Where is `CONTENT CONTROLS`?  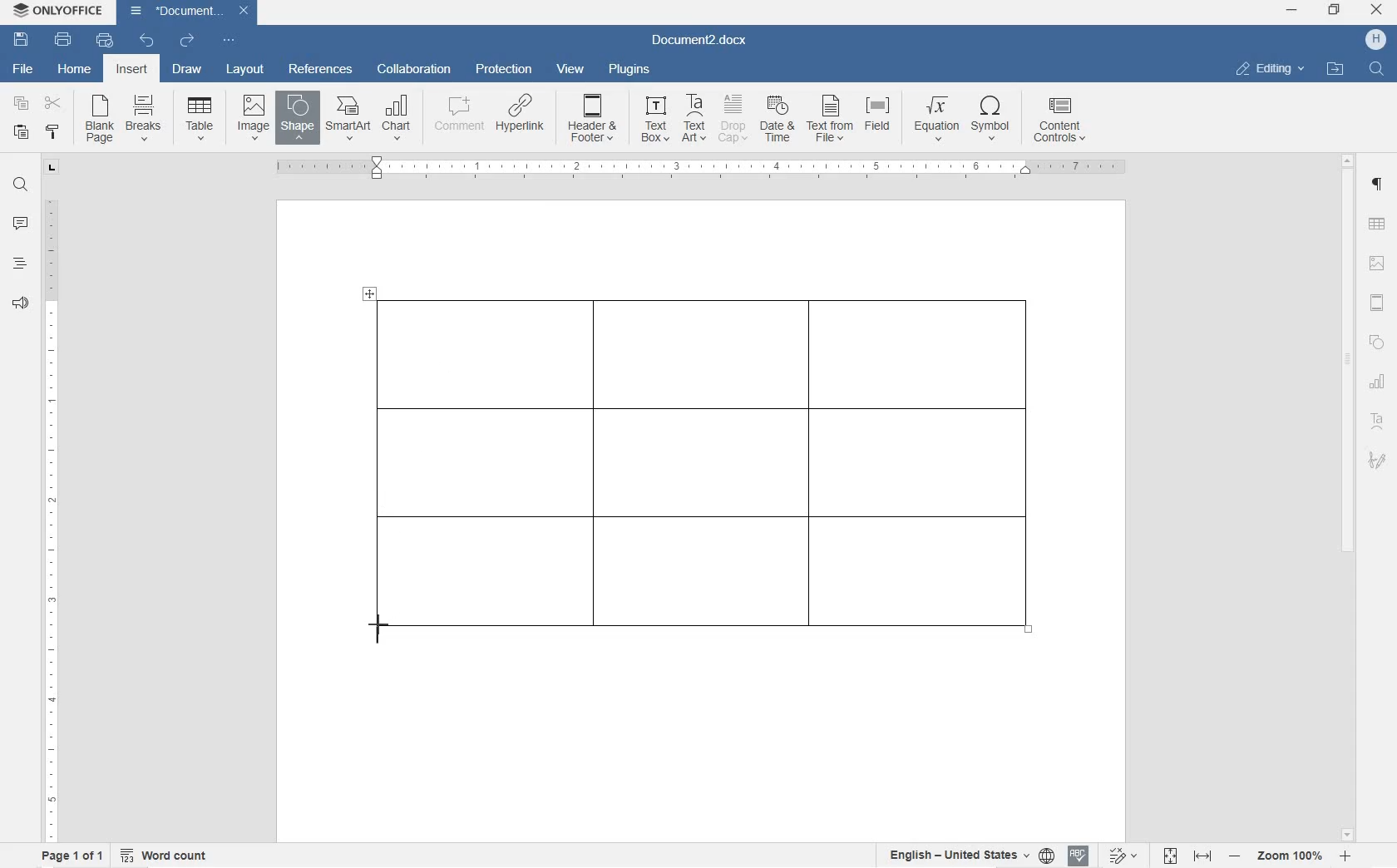
CONTENT CONTROLS is located at coordinates (1057, 122).